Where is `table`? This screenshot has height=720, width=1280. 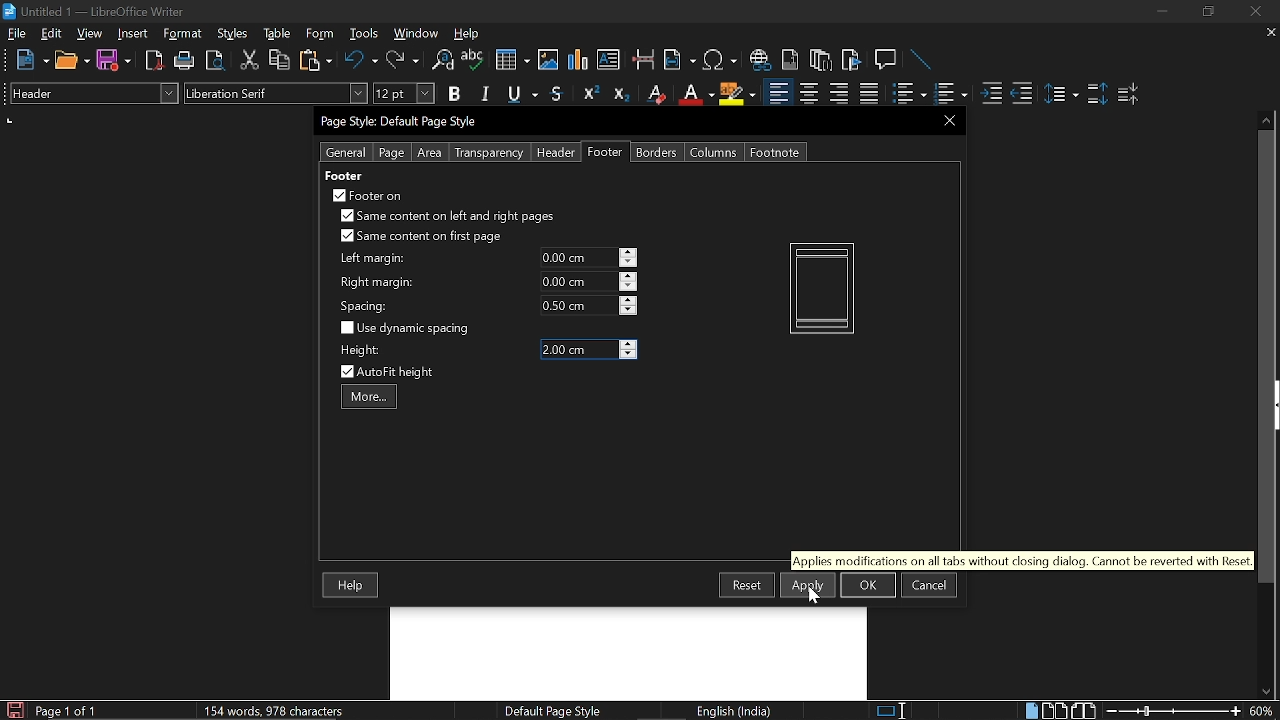
table is located at coordinates (278, 34).